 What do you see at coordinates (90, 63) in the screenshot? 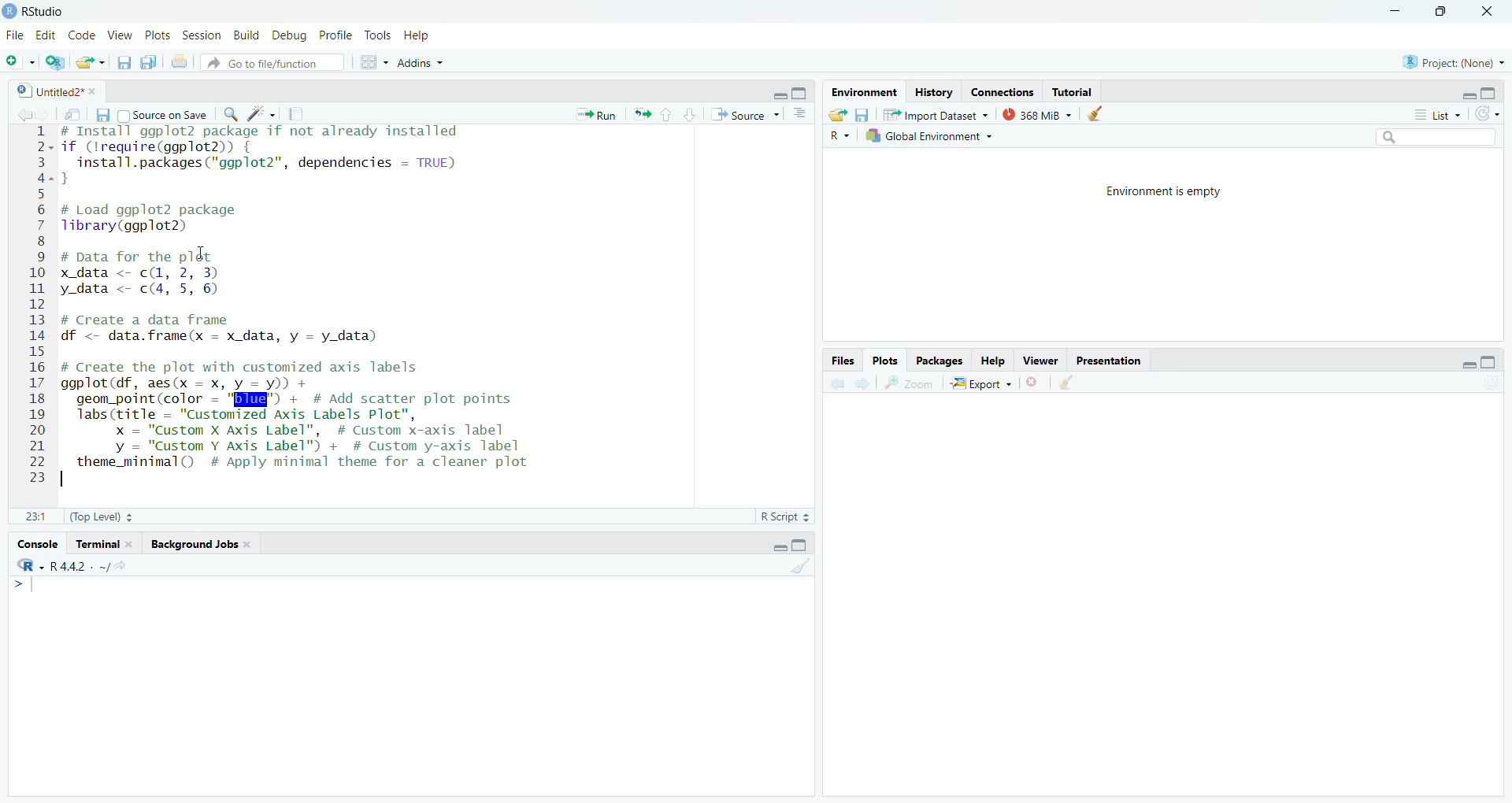
I see `export` at bounding box center [90, 63].